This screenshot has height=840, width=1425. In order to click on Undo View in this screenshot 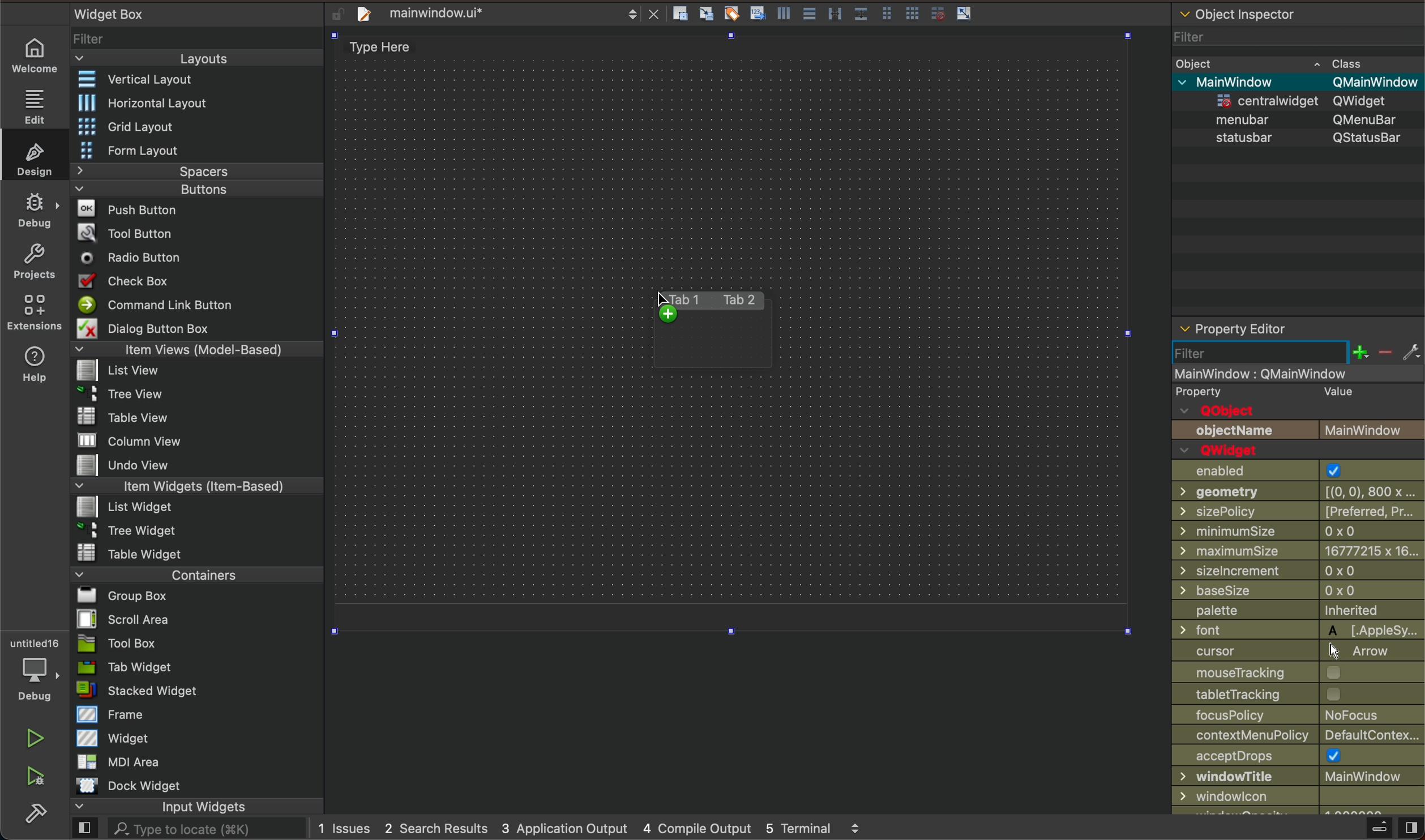, I will do `click(117, 466)`.